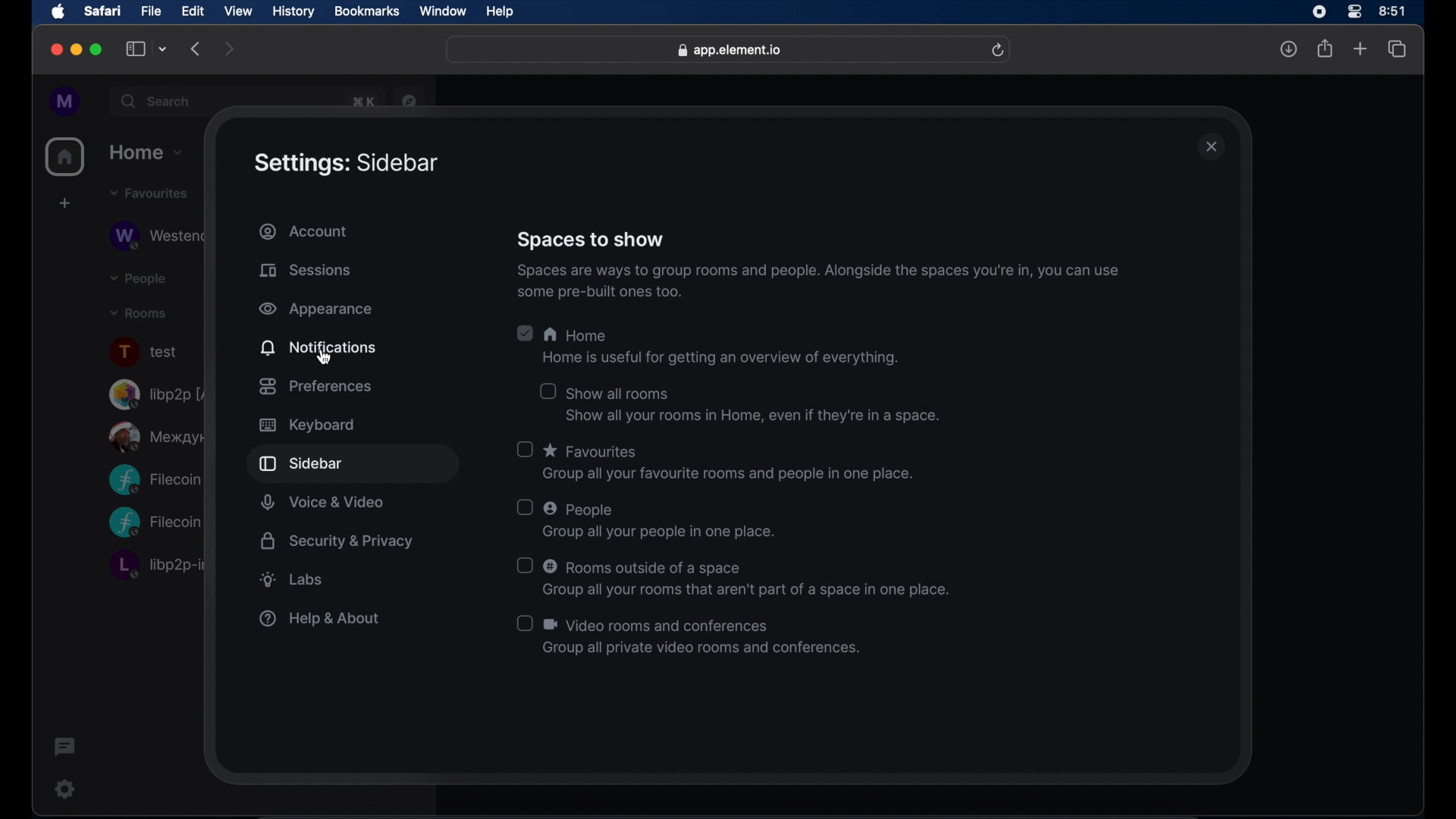  I want to click on Spaces are ways 10 group rooms and people. Alongside the spaces youre in, you can use
some pre-built ones too., so click(821, 283).